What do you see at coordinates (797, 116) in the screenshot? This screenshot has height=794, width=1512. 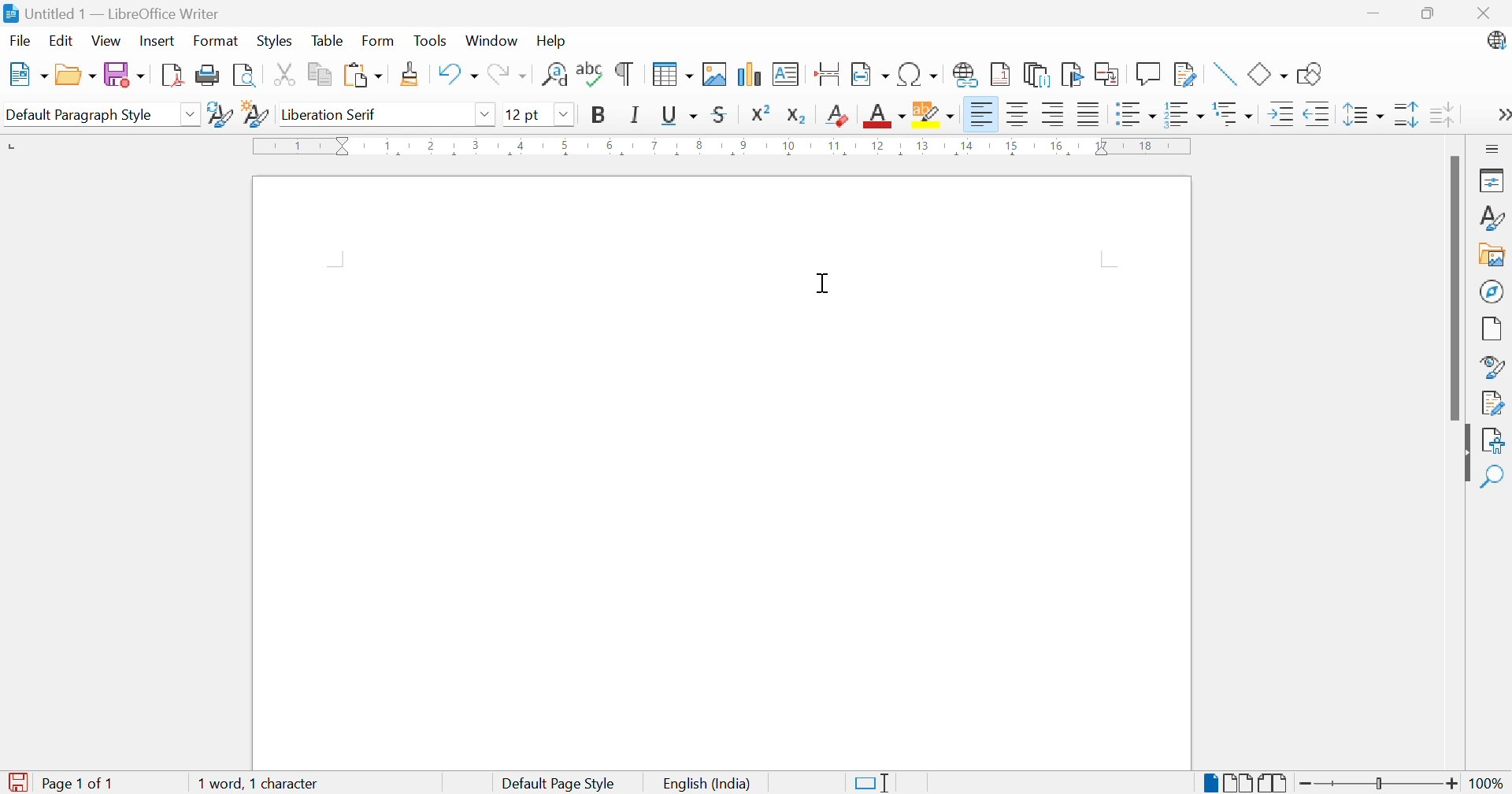 I see `Subscript` at bounding box center [797, 116].